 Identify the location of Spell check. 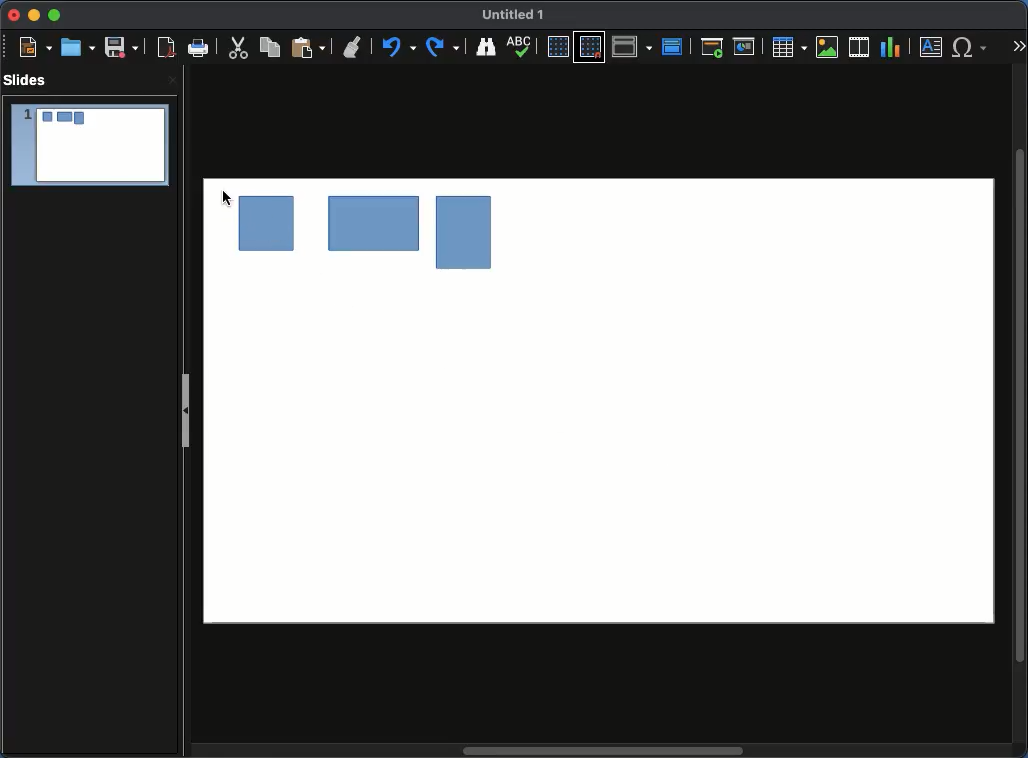
(522, 46).